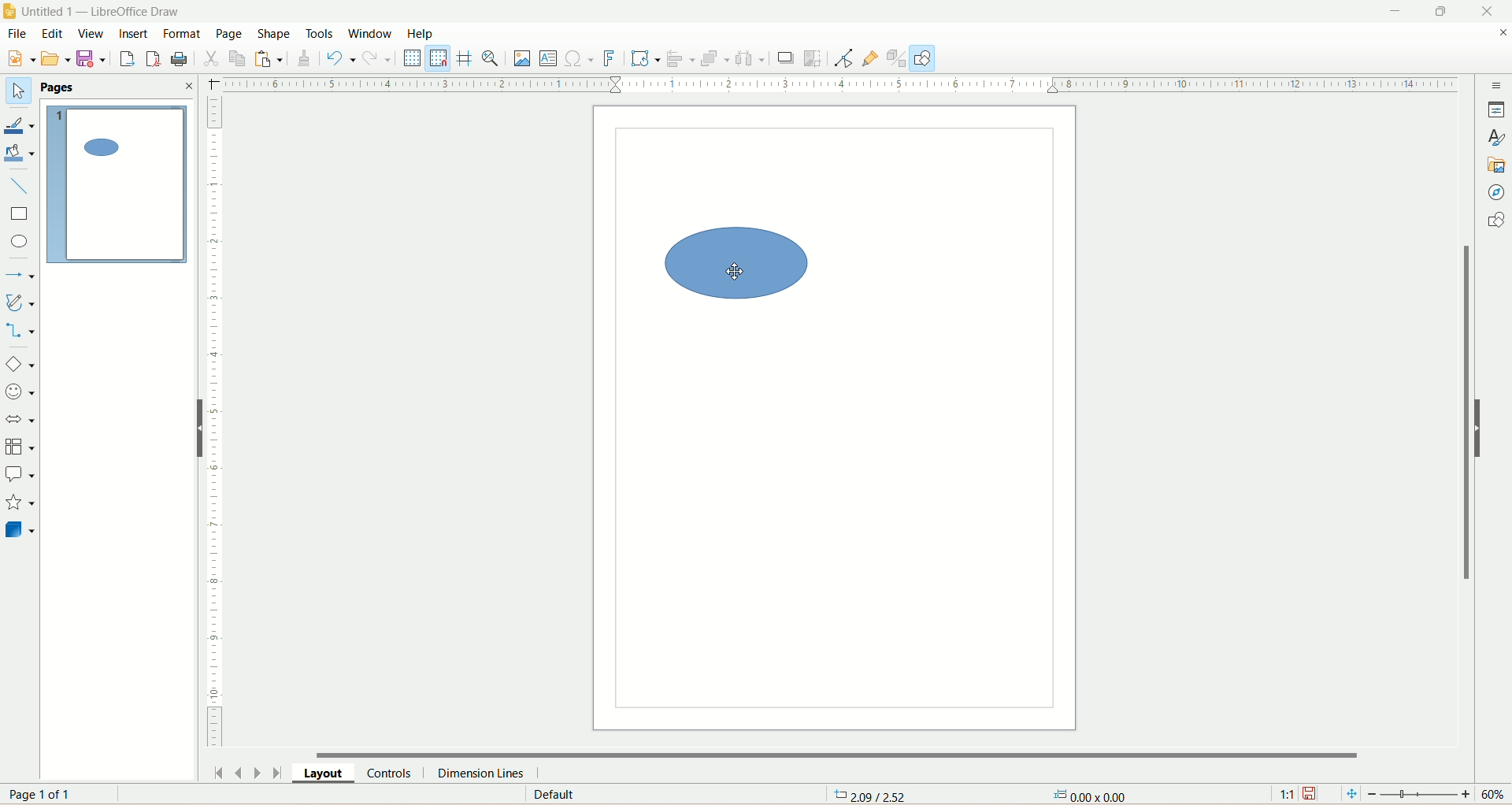 This screenshot has height=805, width=1512. What do you see at coordinates (20, 275) in the screenshot?
I see `lines and arrows` at bounding box center [20, 275].